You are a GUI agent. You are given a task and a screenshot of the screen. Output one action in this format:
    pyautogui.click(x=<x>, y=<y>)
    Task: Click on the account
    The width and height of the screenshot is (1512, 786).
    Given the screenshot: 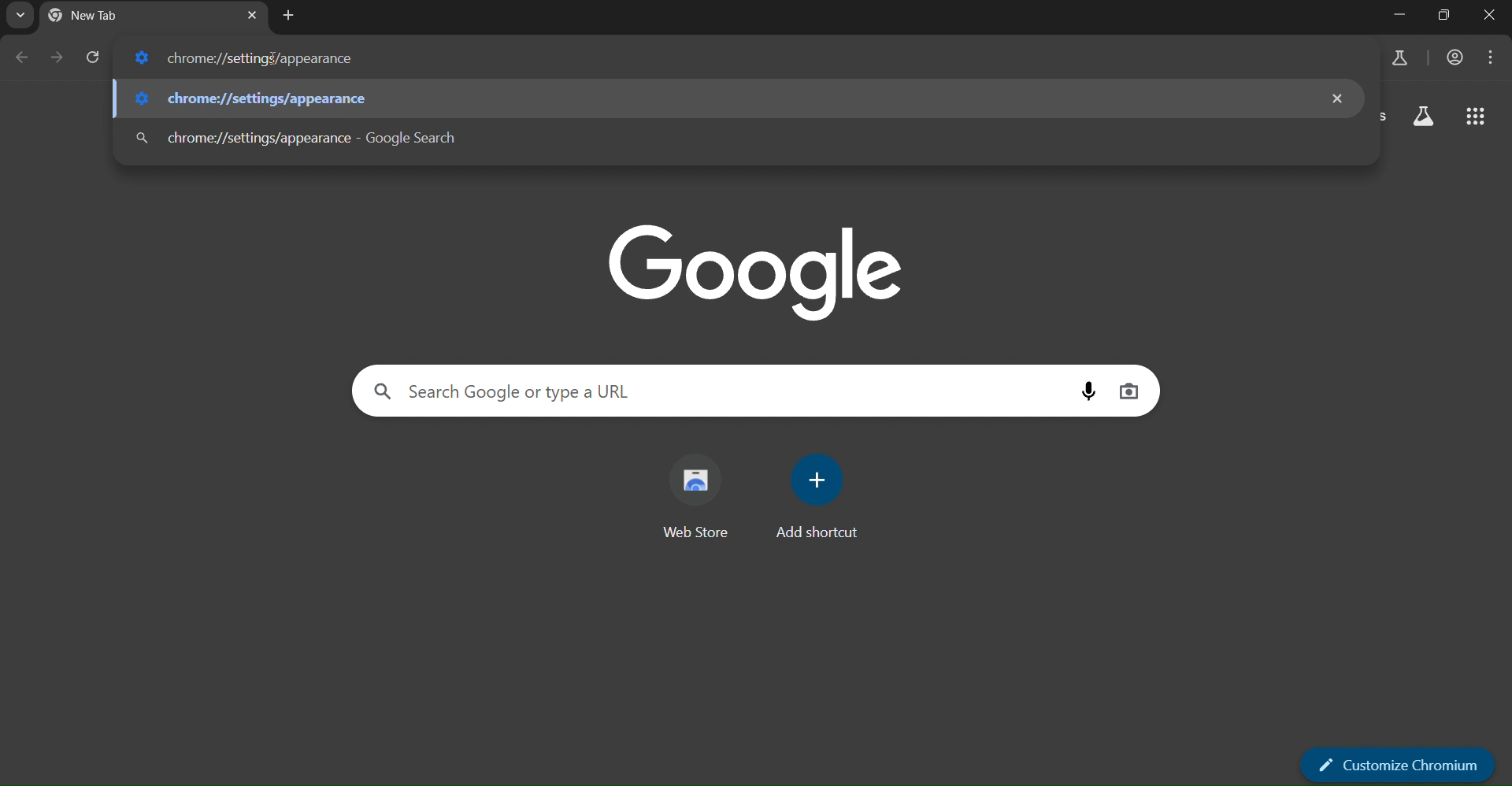 What is the action you would take?
    pyautogui.click(x=1456, y=57)
    